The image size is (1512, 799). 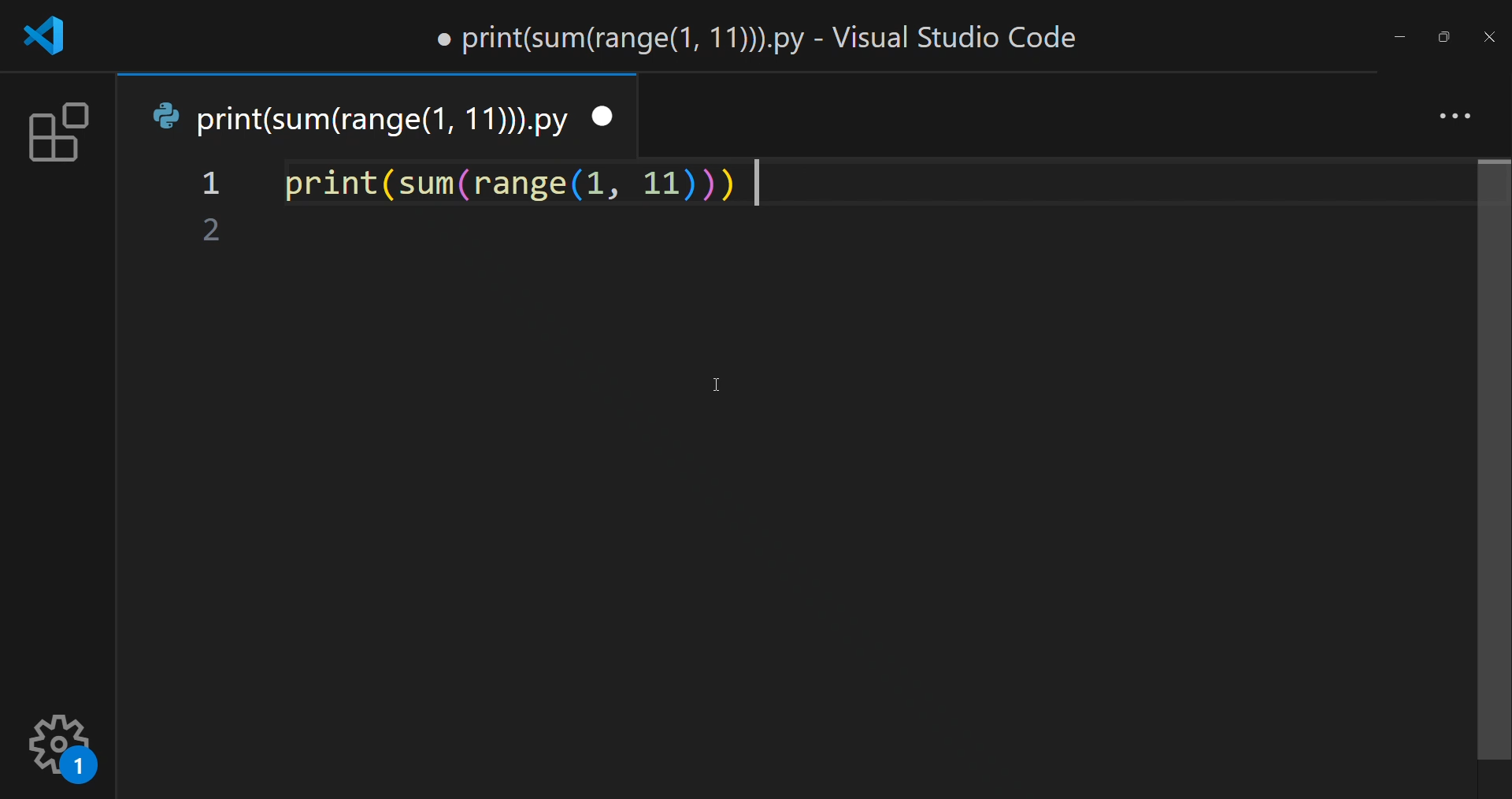 I want to click on scroll bar, so click(x=1491, y=462).